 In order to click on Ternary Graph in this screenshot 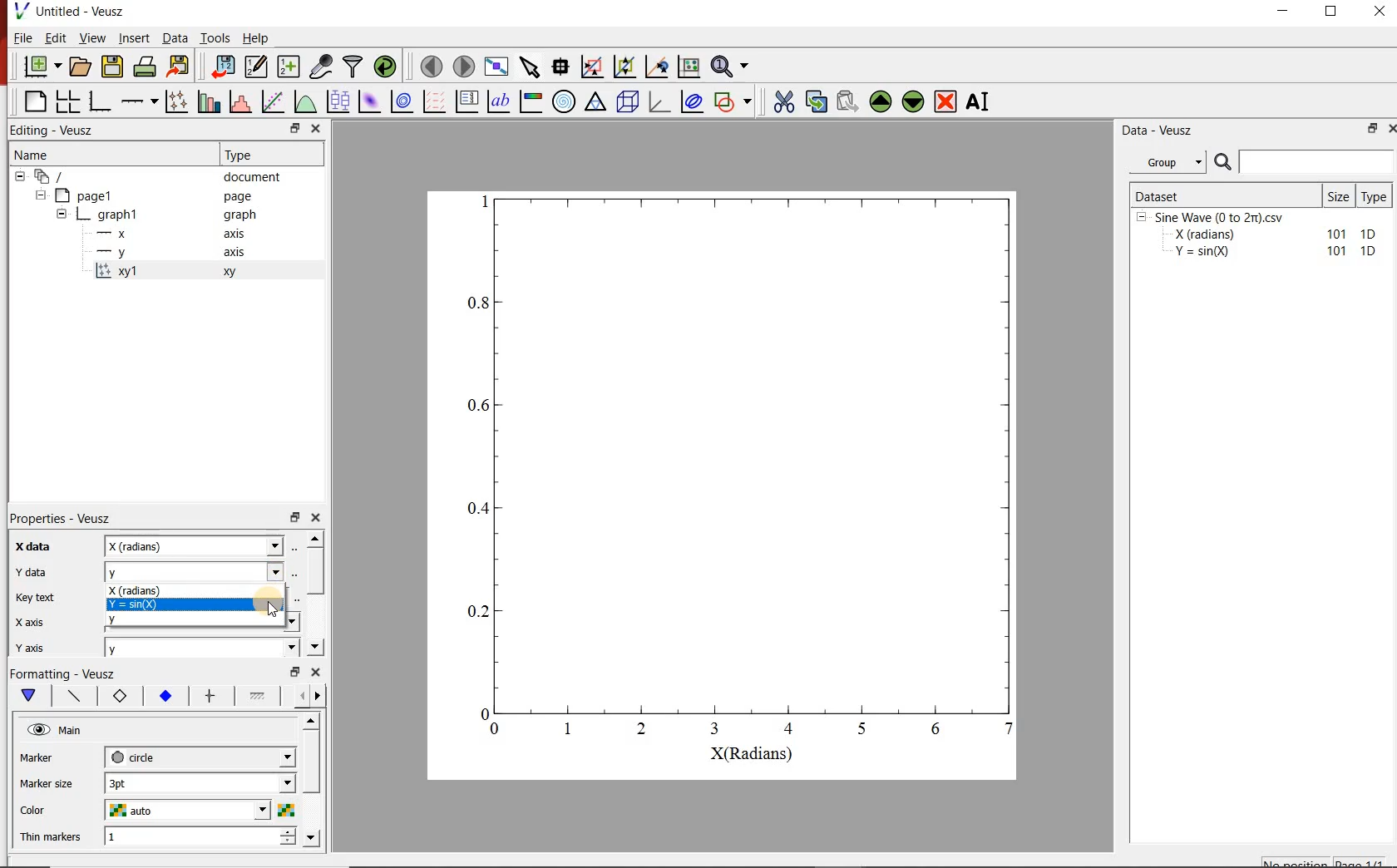, I will do `click(596, 101)`.